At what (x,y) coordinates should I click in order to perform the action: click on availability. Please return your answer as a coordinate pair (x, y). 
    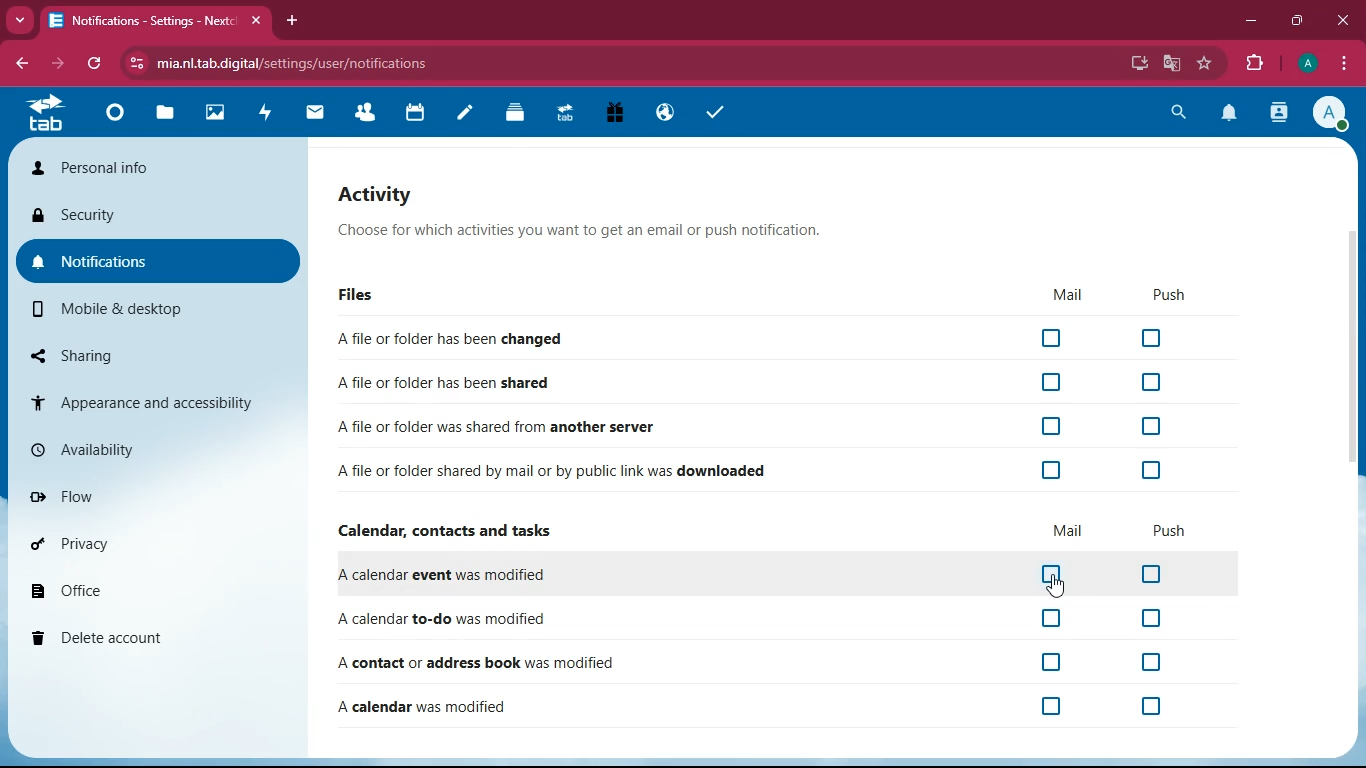
    Looking at the image, I should click on (159, 451).